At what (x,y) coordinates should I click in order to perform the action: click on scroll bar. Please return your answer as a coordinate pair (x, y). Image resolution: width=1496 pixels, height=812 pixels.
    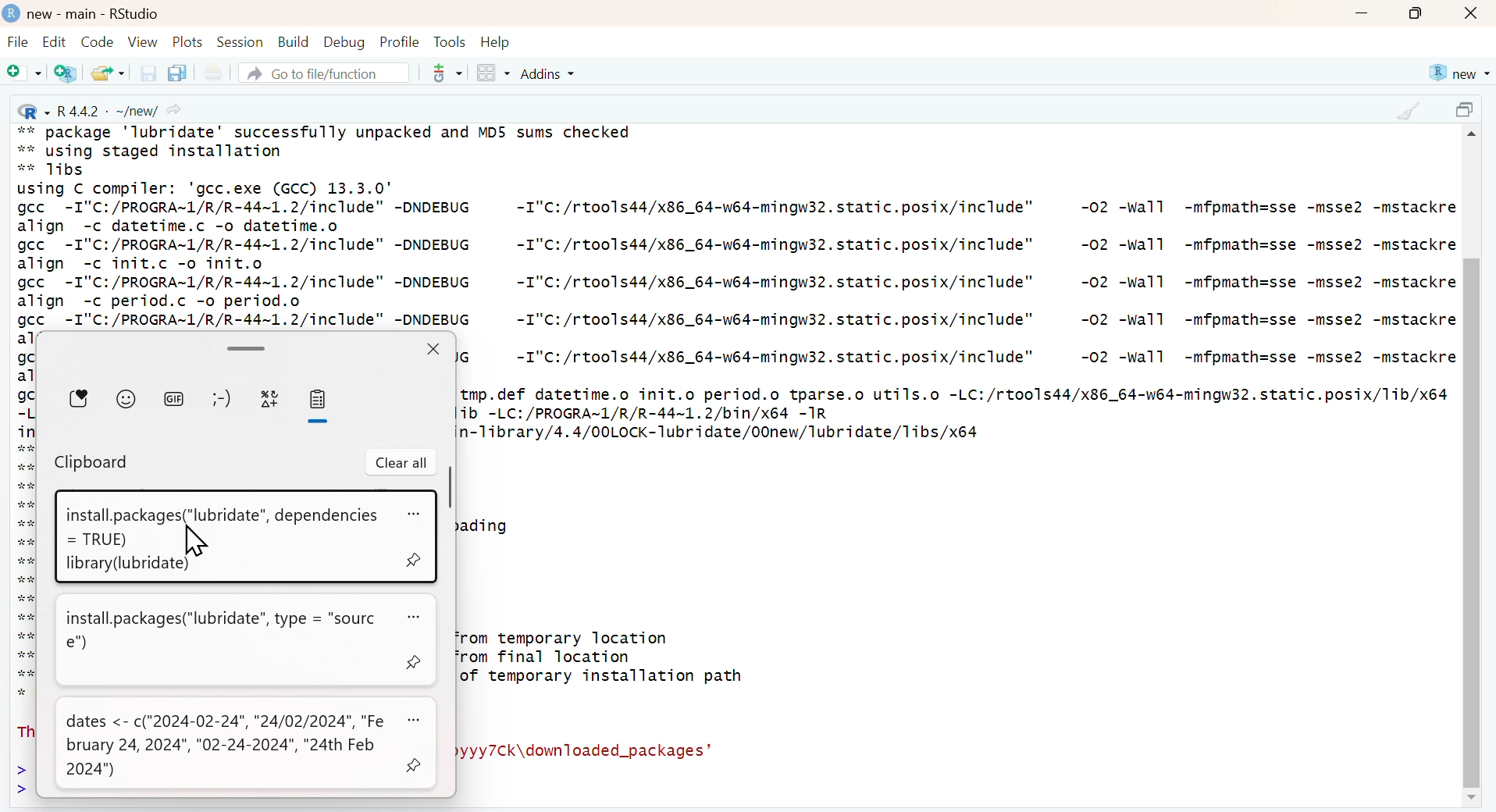
    Looking at the image, I should click on (244, 347).